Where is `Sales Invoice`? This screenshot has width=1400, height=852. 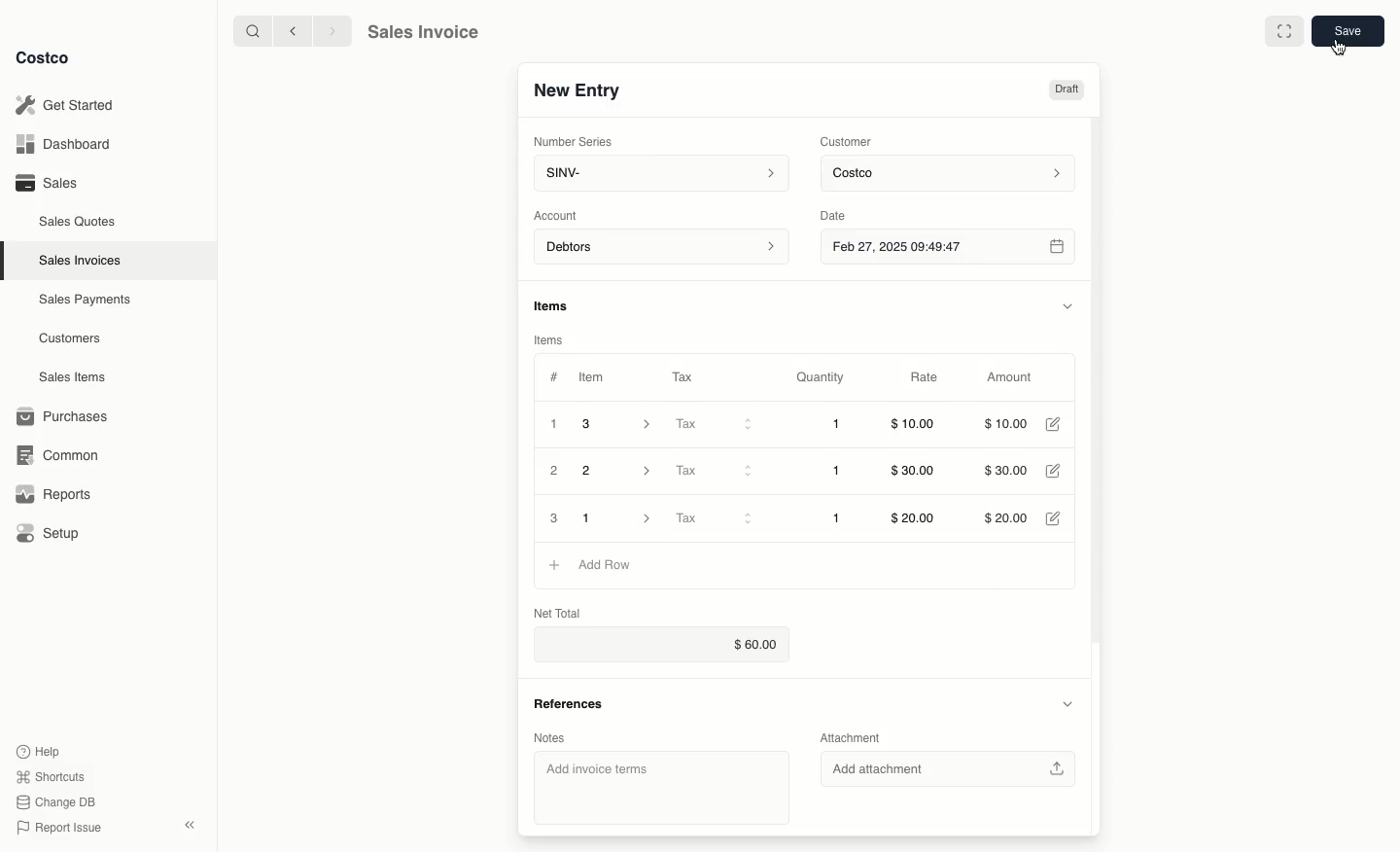 Sales Invoice is located at coordinates (422, 32).